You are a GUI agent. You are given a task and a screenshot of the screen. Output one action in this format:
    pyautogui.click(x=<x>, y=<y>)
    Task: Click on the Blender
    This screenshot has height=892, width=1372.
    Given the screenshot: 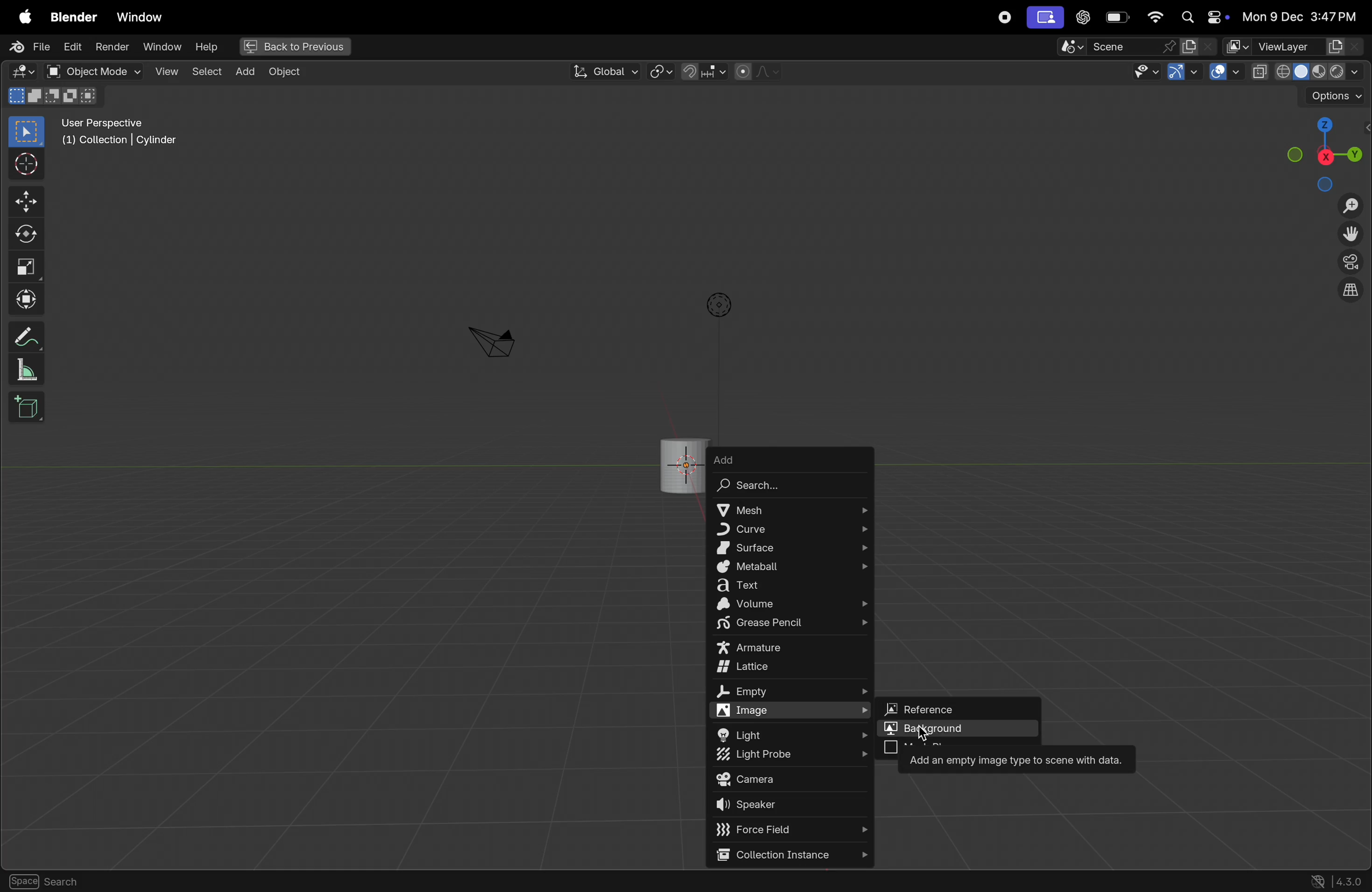 What is the action you would take?
    pyautogui.click(x=70, y=14)
    